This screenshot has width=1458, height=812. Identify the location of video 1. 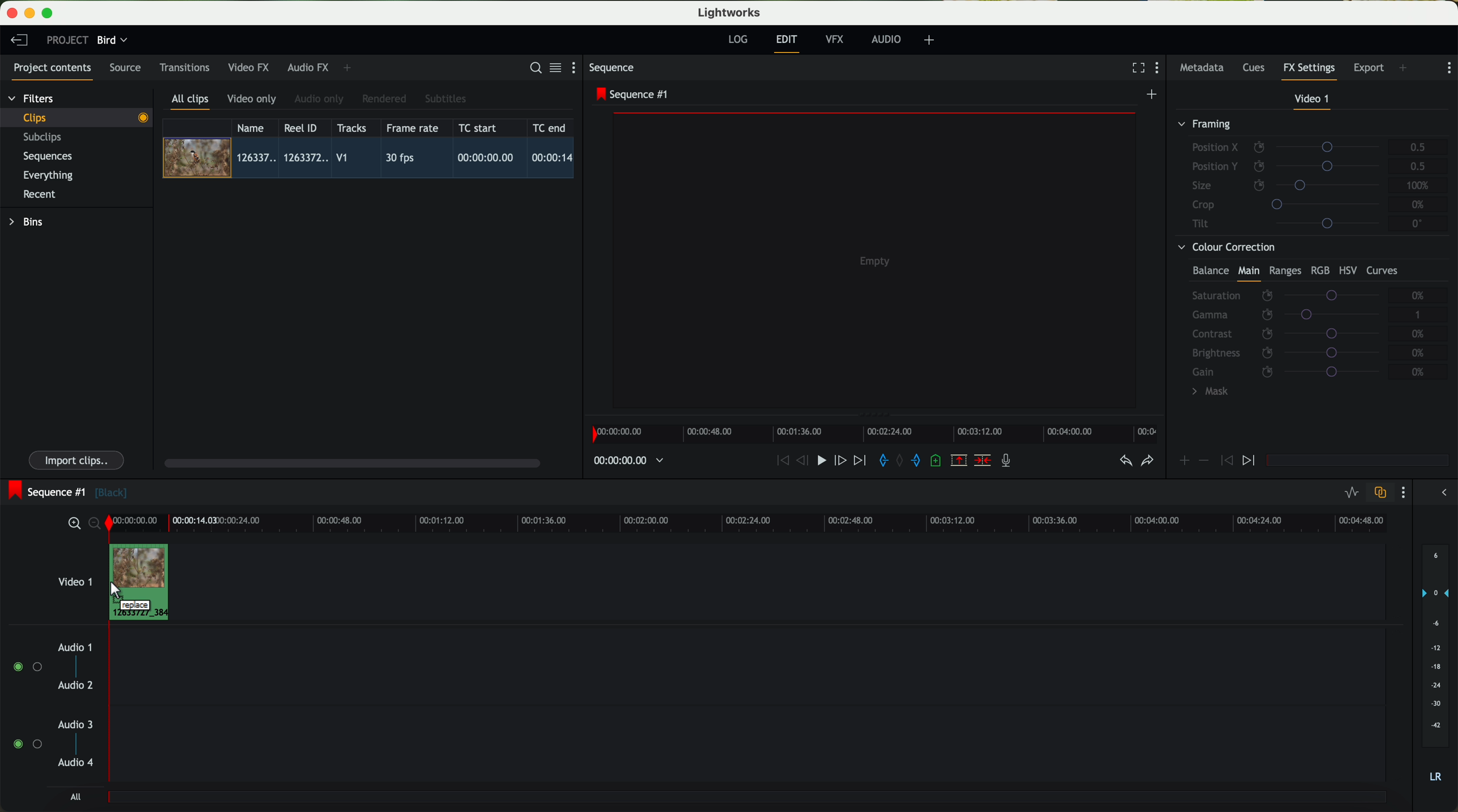
(1313, 101).